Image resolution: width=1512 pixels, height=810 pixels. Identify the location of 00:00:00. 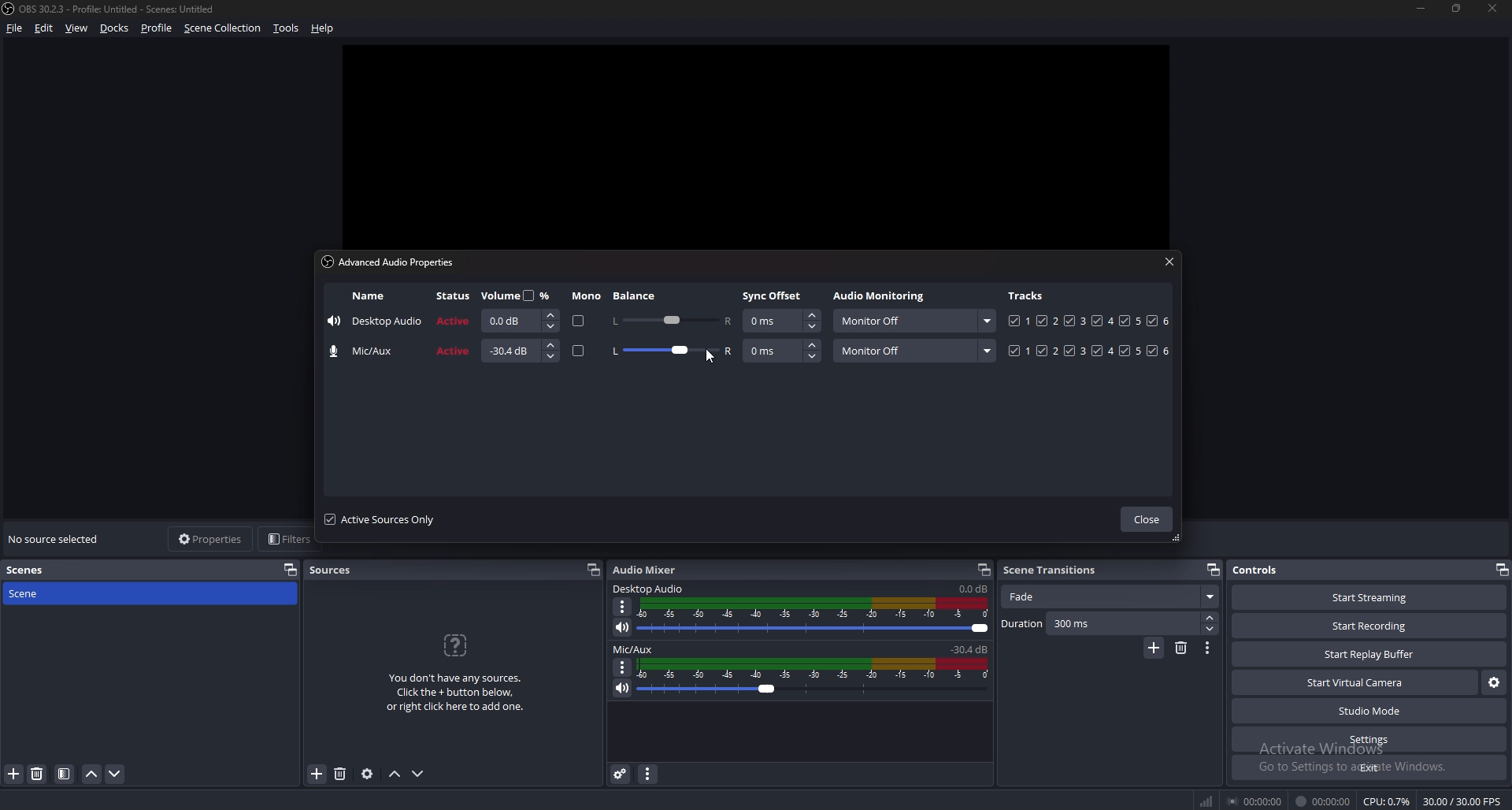
(1255, 801).